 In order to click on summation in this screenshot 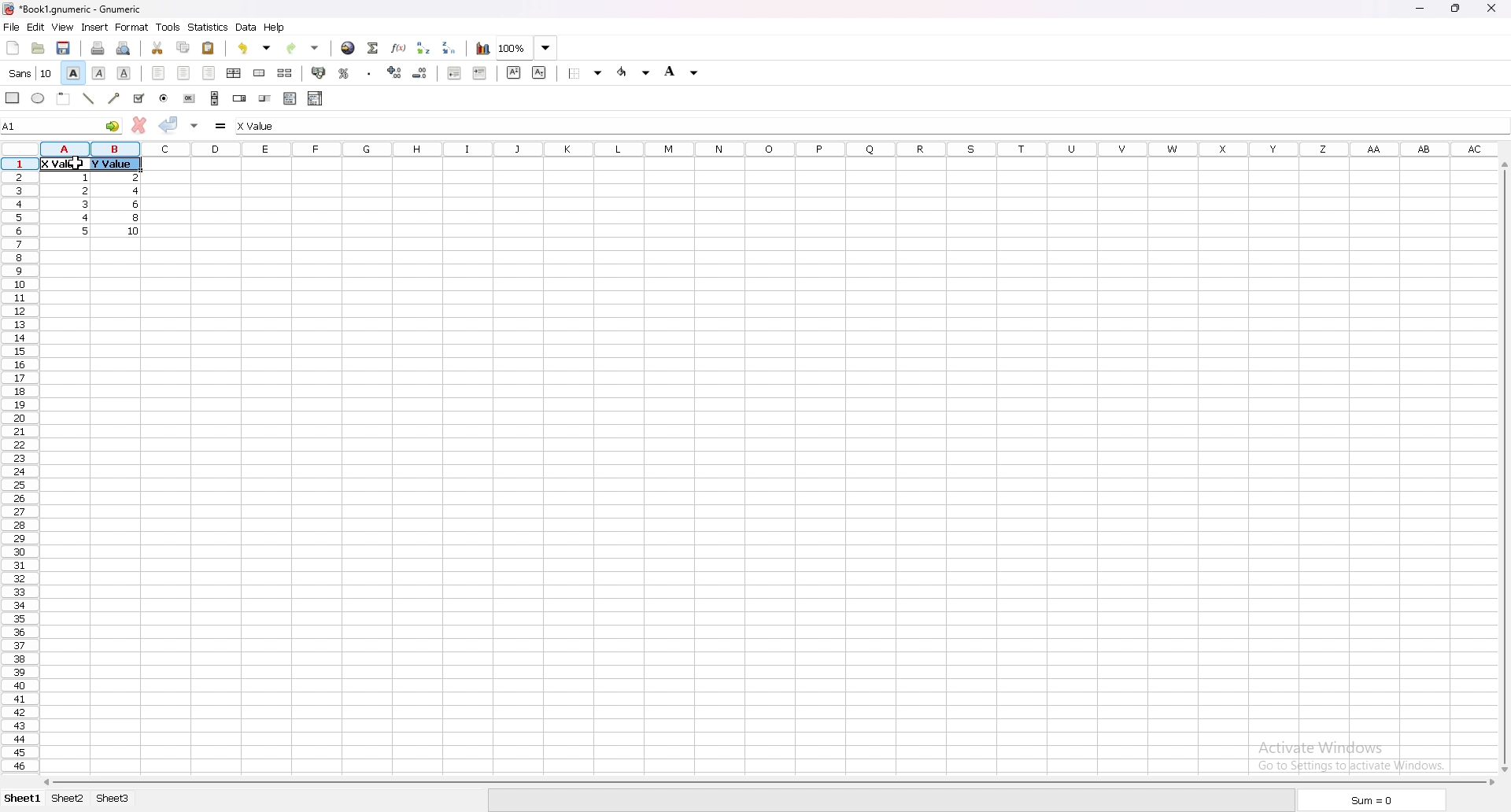, I will do `click(372, 47)`.